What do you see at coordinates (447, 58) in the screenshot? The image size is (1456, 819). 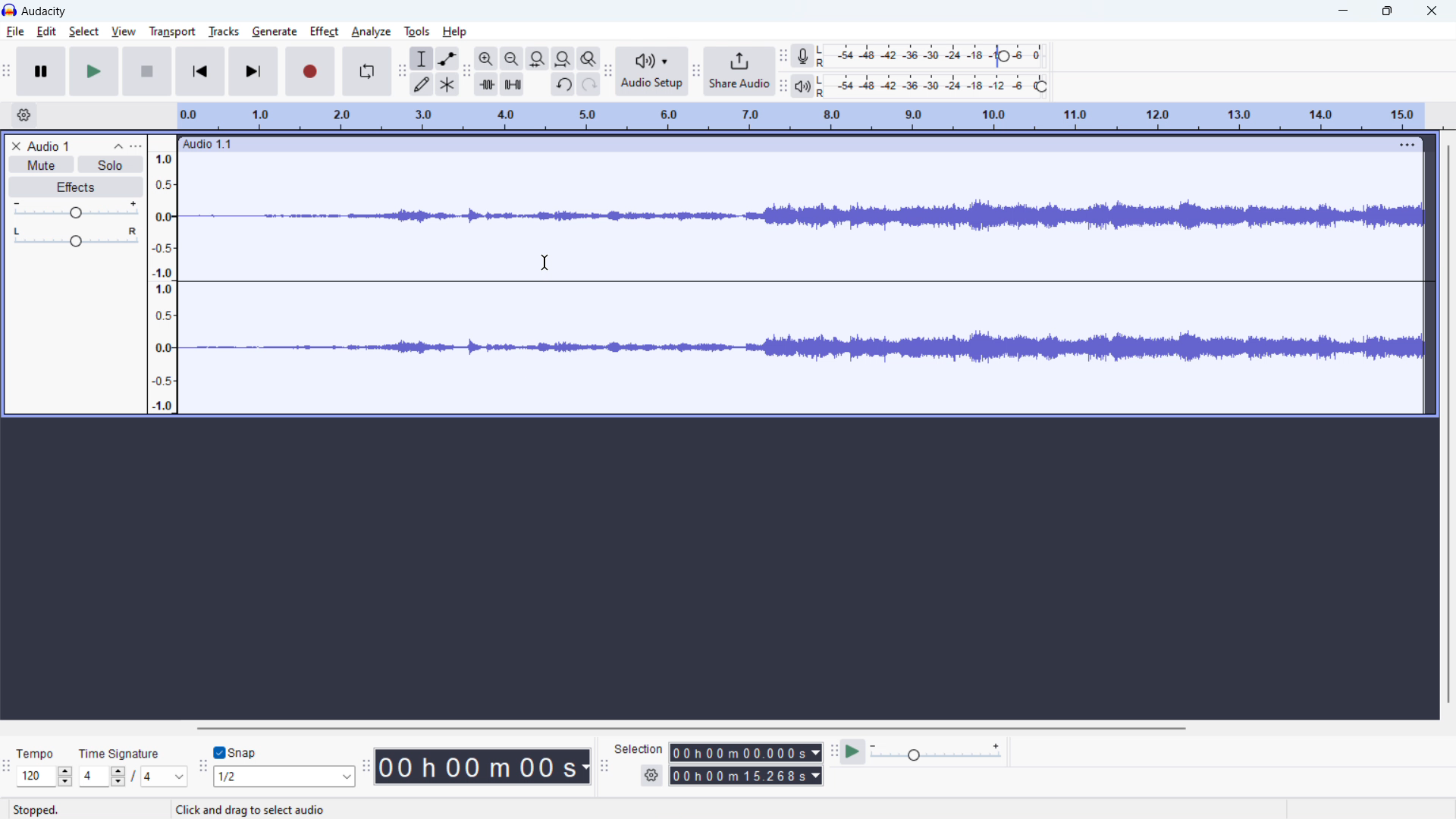 I see `envelop tool` at bounding box center [447, 58].